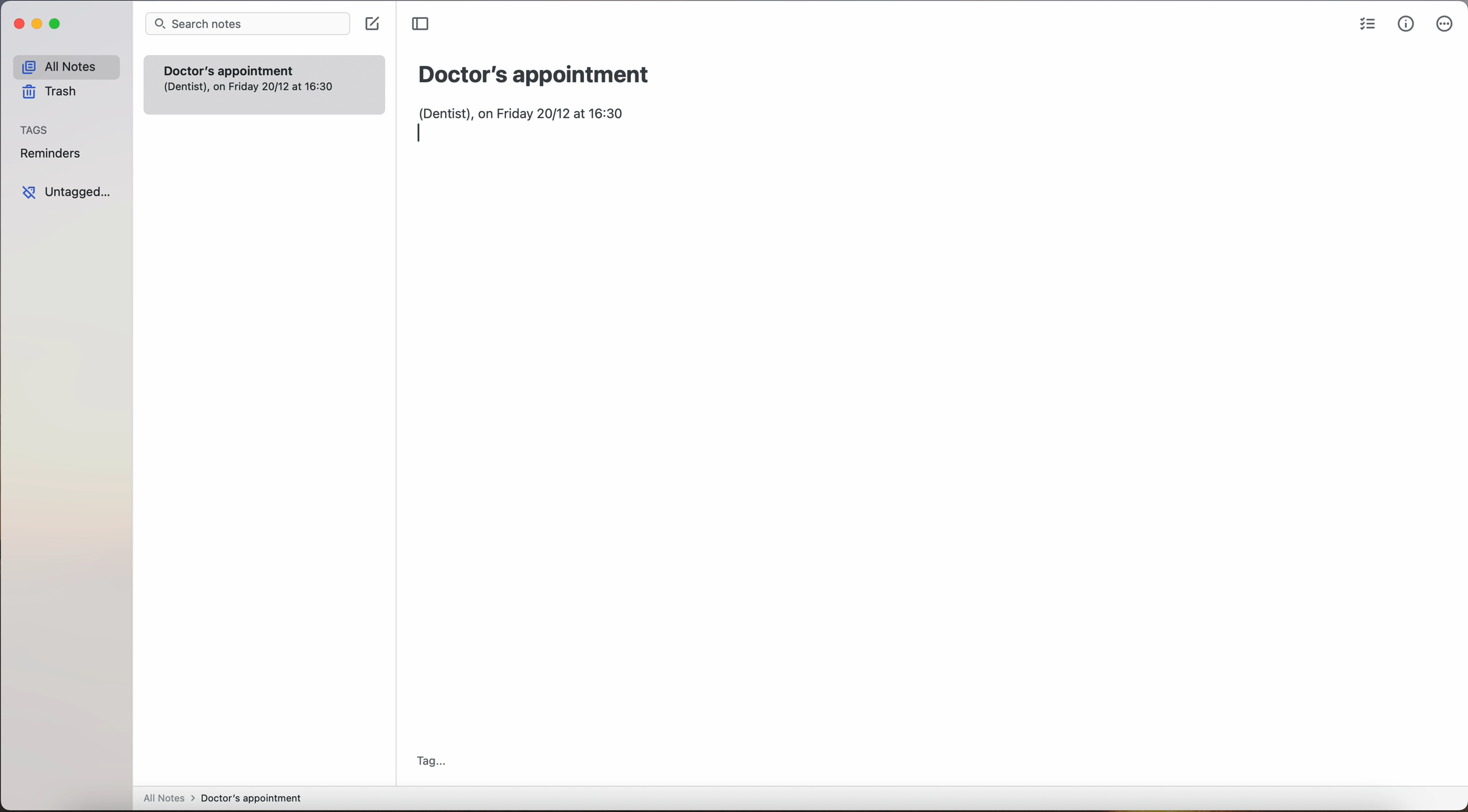 The image size is (1468, 812). Describe the element at coordinates (17, 23) in the screenshot. I see `close app` at that location.